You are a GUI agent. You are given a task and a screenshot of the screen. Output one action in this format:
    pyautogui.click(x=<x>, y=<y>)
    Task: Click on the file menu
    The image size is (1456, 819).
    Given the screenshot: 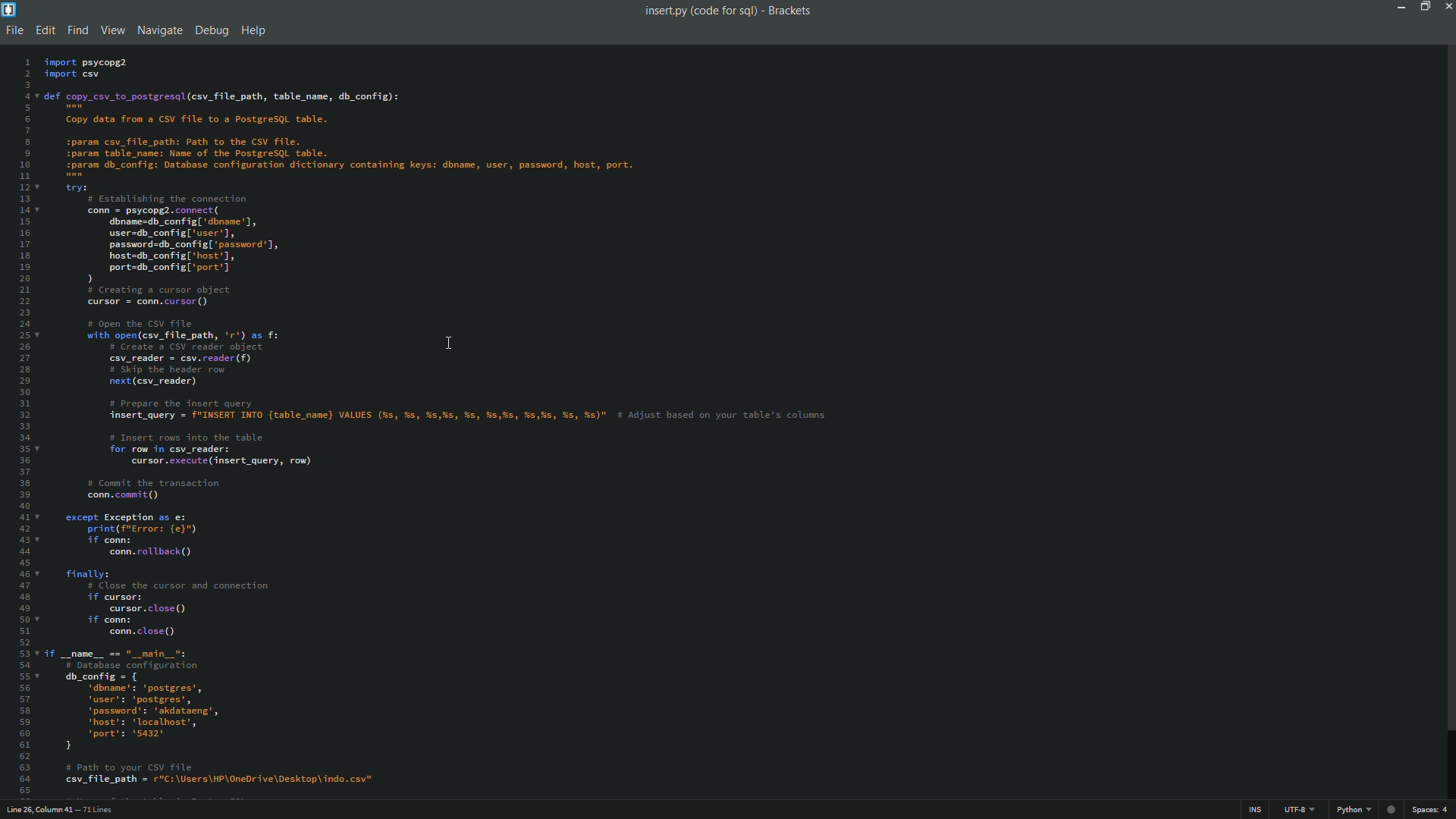 What is the action you would take?
    pyautogui.click(x=14, y=30)
    